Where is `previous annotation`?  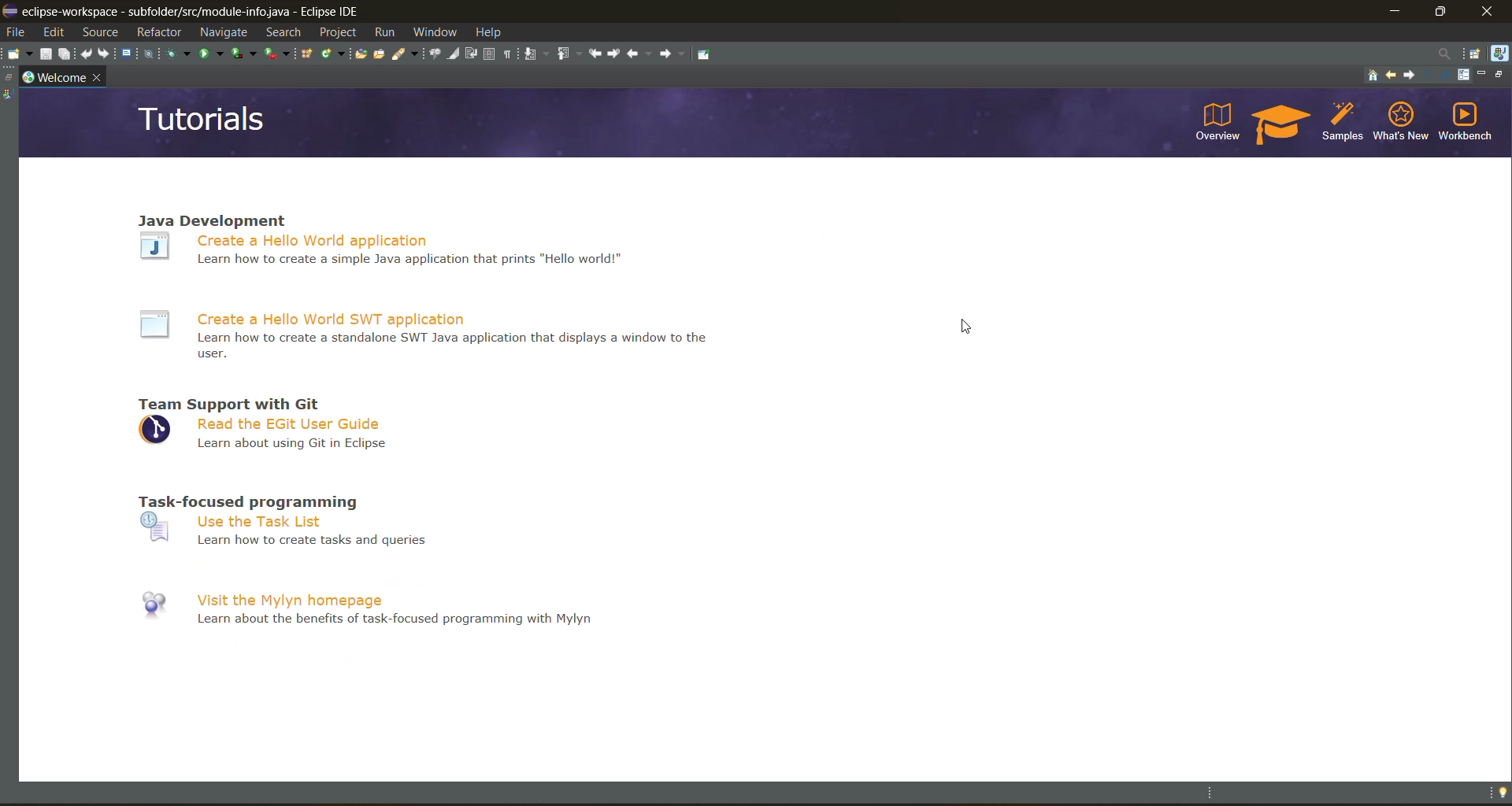
previous annotation is located at coordinates (571, 54).